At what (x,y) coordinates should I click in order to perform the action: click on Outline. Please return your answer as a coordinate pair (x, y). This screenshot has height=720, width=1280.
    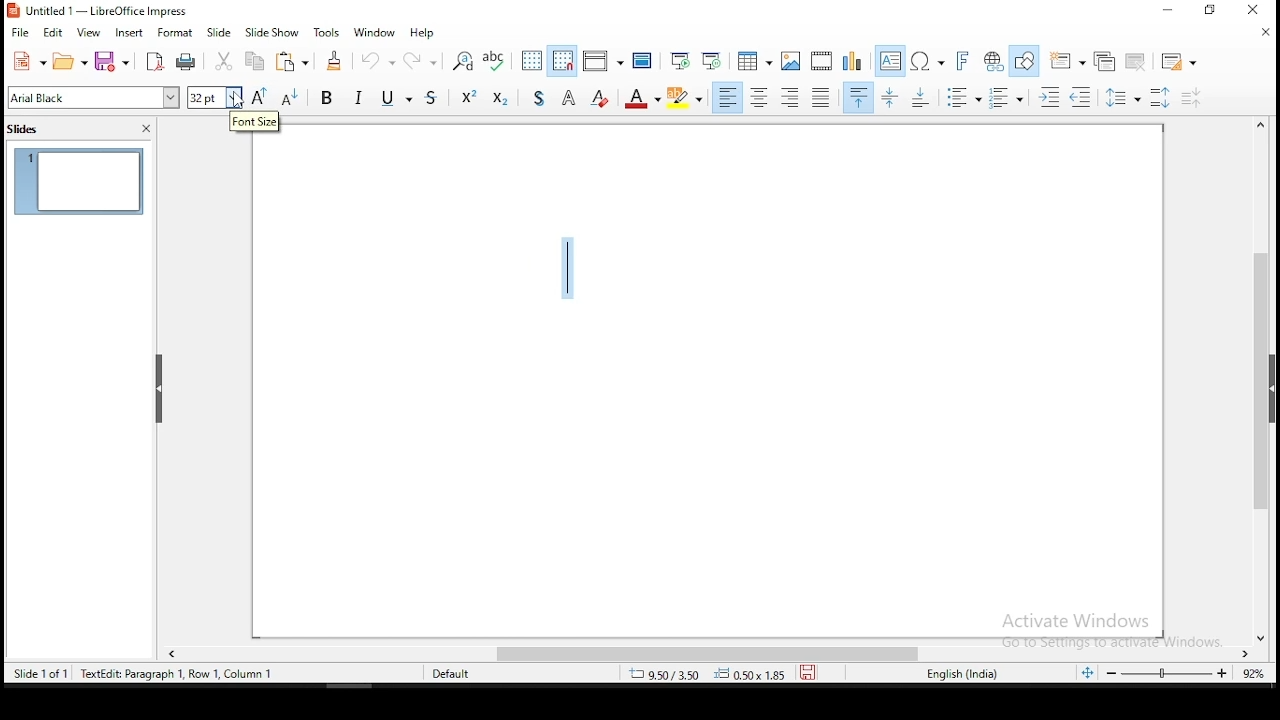
    Looking at the image, I should click on (570, 96).